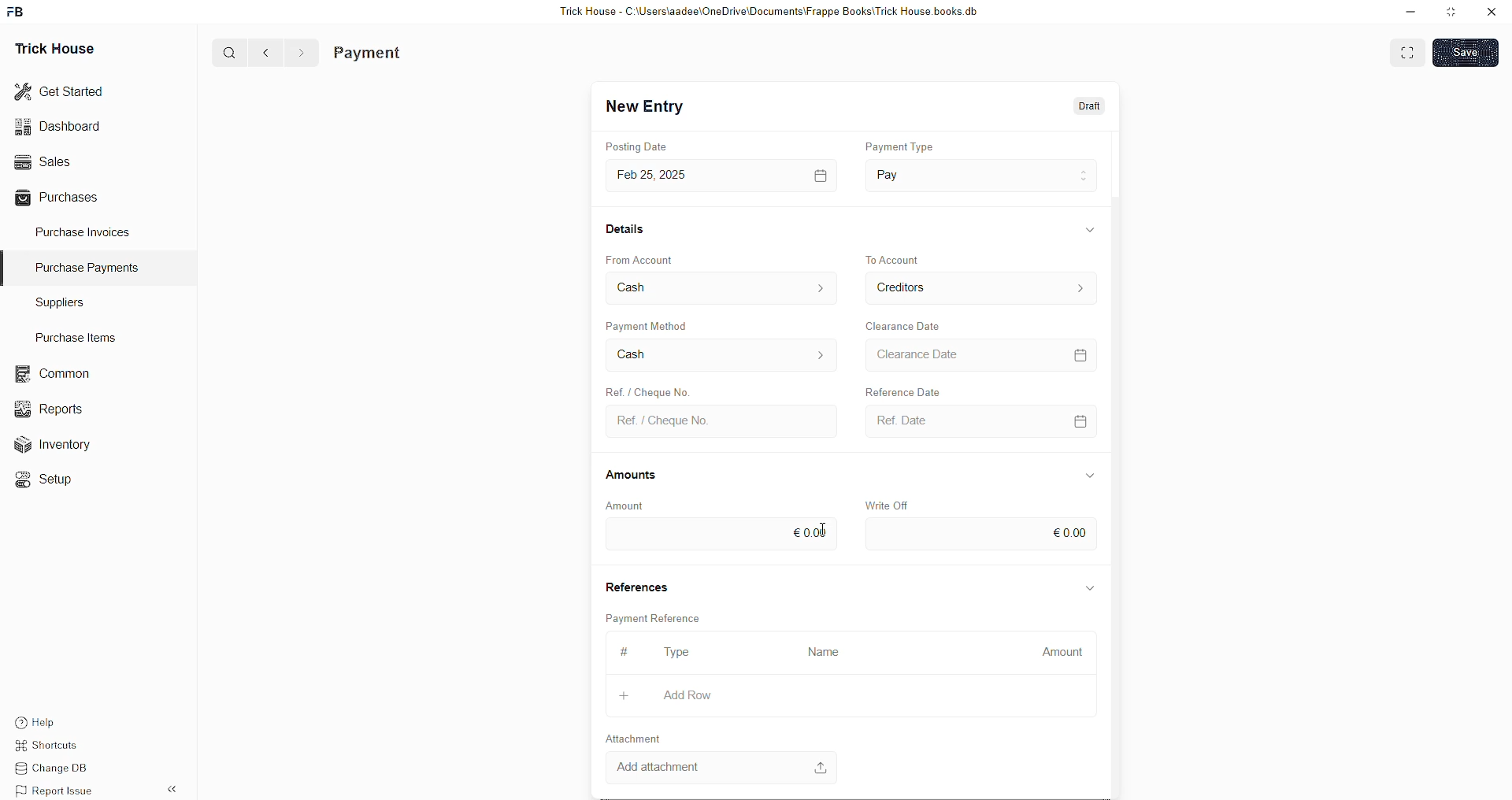 Image resolution: width=1512 pixels, height=800 pixels. What do you see at coordinates (641, 389) in the screenshot?
I see `Ref. / Cheque No.` at bounding box center [641, 389].